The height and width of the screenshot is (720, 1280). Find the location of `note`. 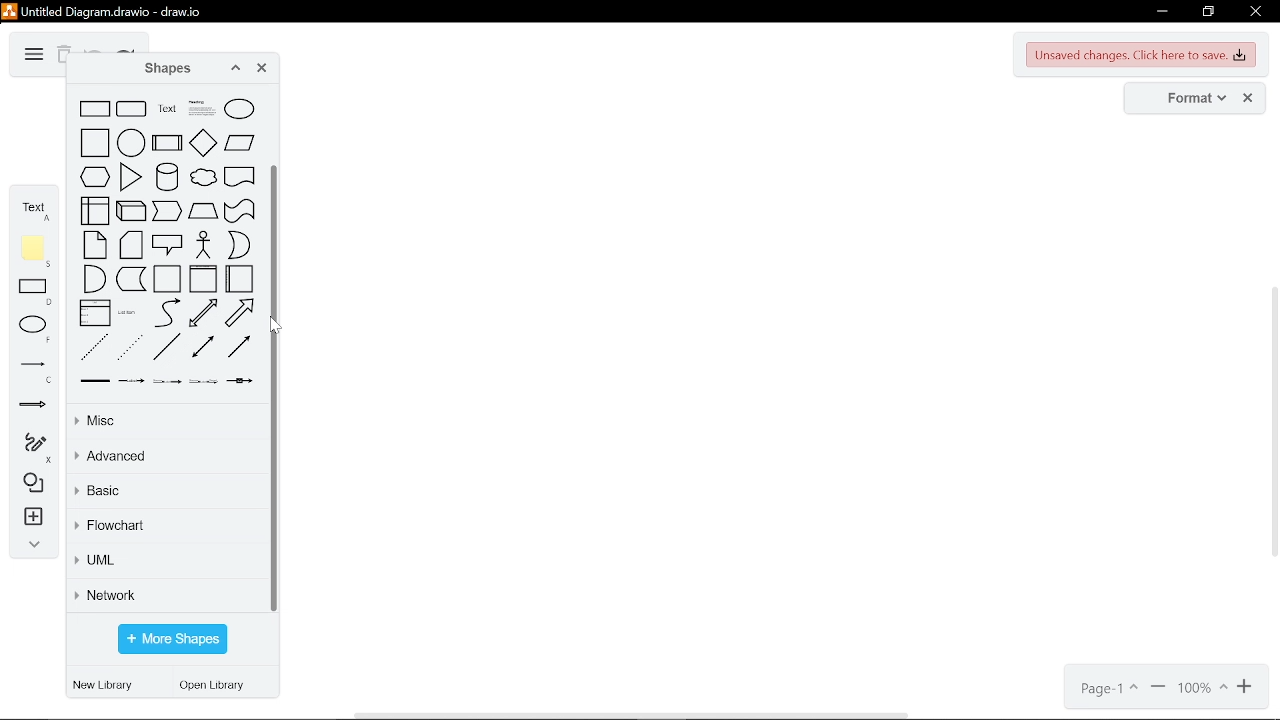

note is located at coordinates (36, 251).